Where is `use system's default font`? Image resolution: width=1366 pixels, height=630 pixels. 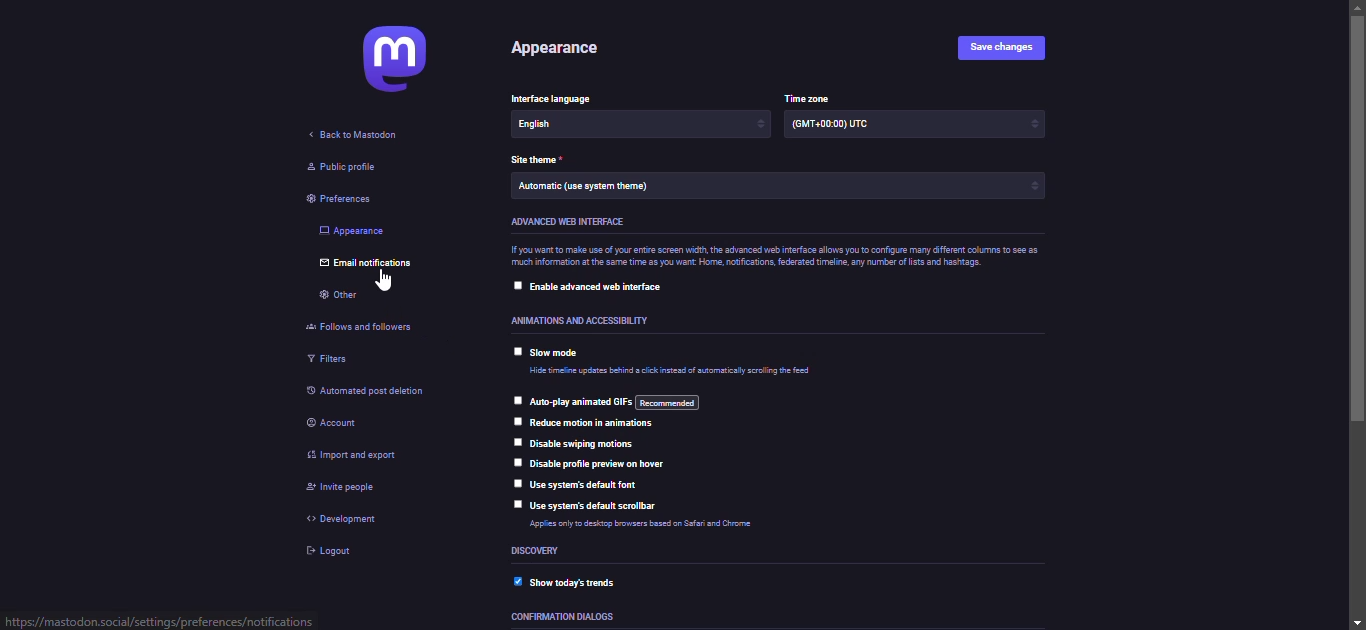 use system's default font is located at coordinates (594, 486).